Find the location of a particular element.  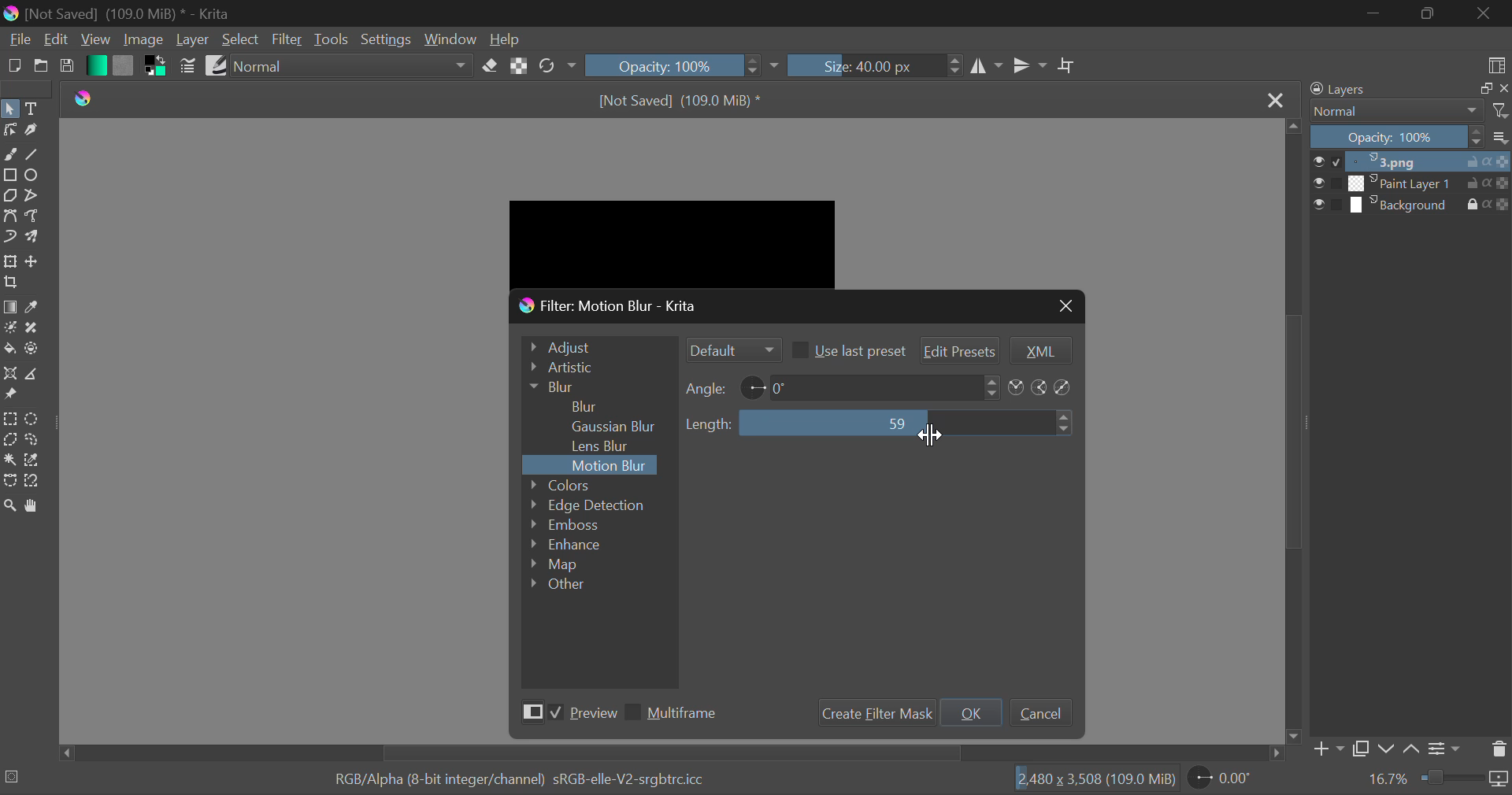

Delete Layer is located at coordinates (1498, 749).